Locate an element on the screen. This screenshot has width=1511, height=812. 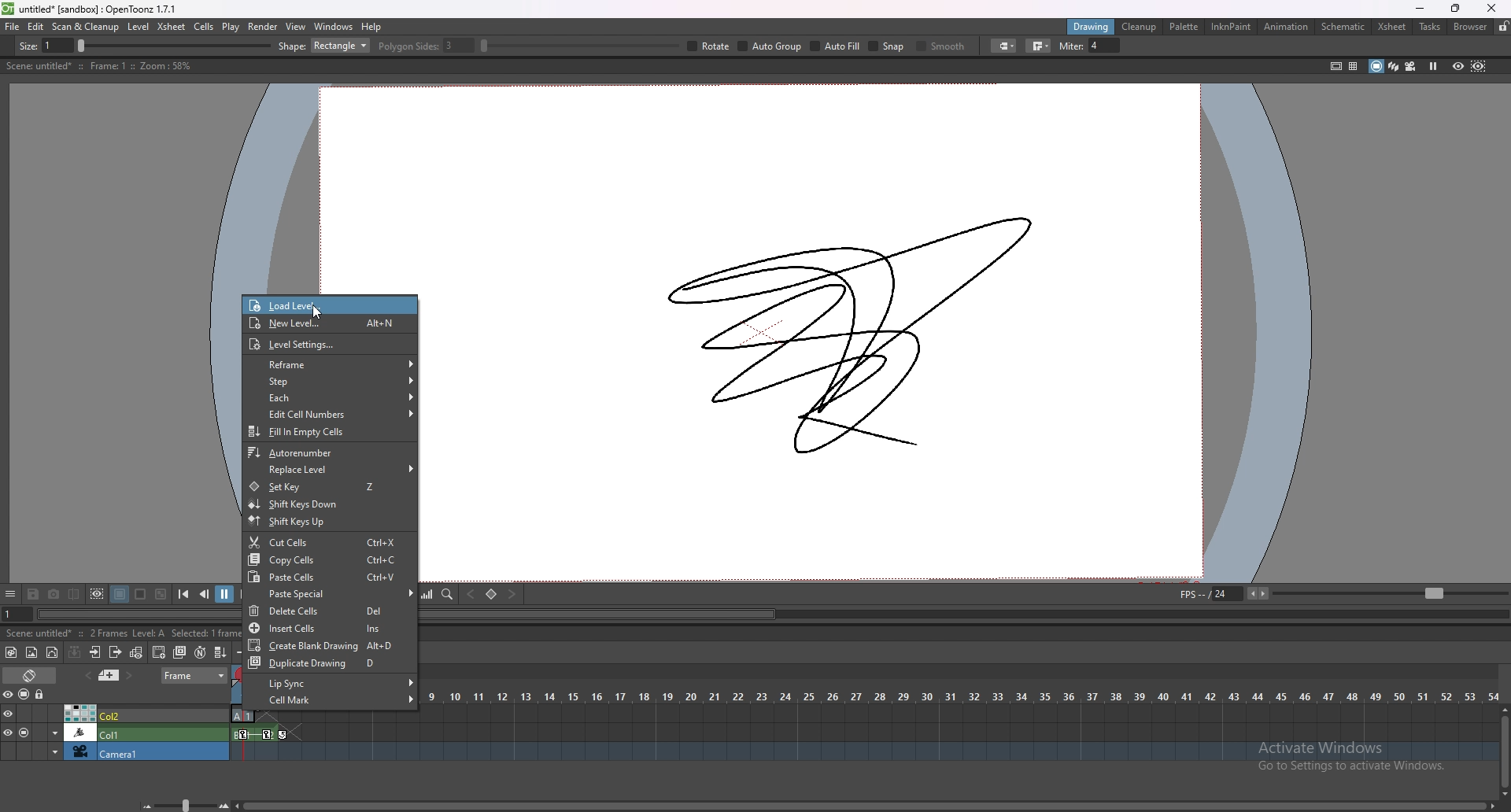
set key is located at coordinates (490, 594).